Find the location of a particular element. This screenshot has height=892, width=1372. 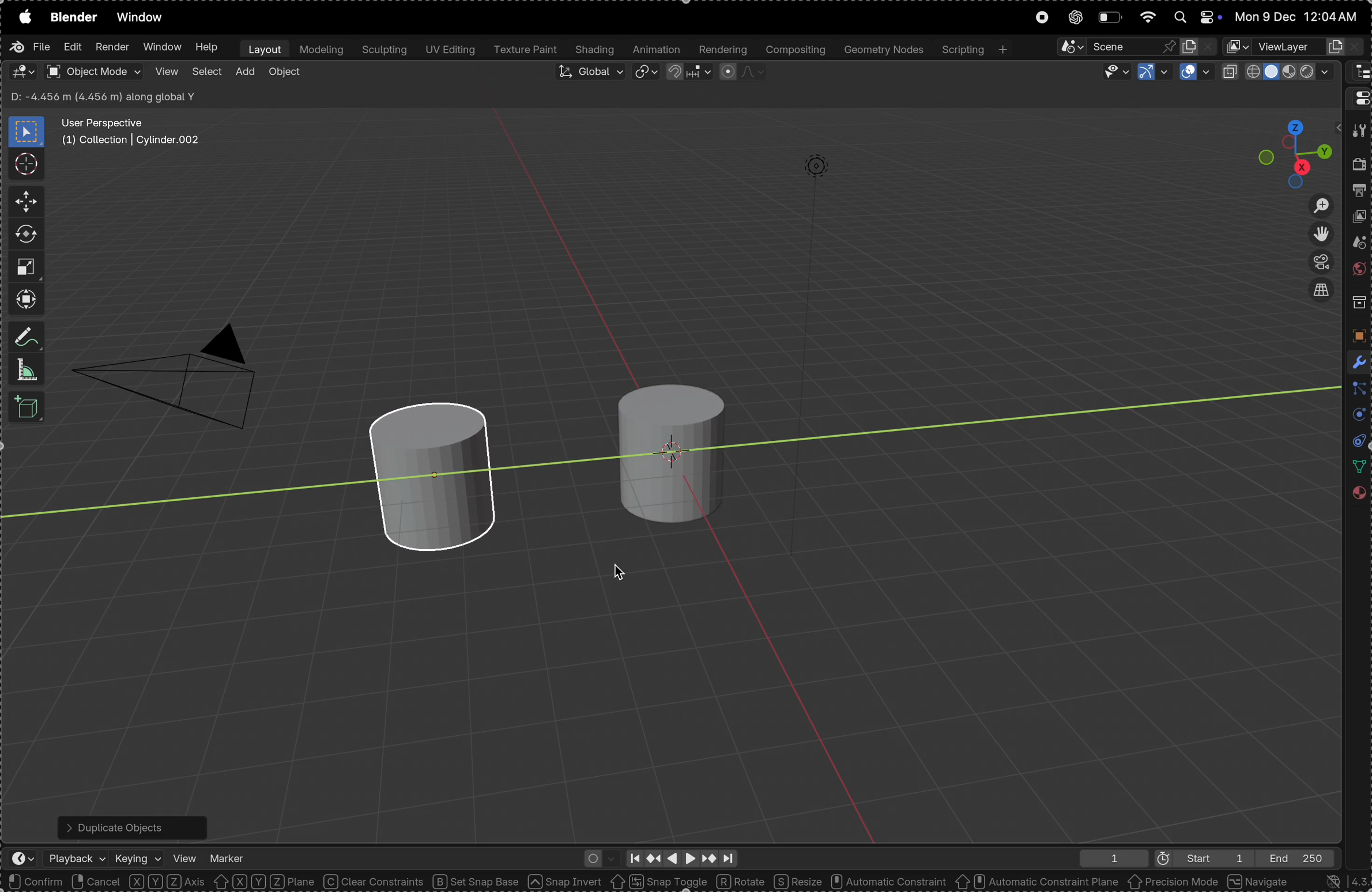

render is located at coordinates (112, 47).